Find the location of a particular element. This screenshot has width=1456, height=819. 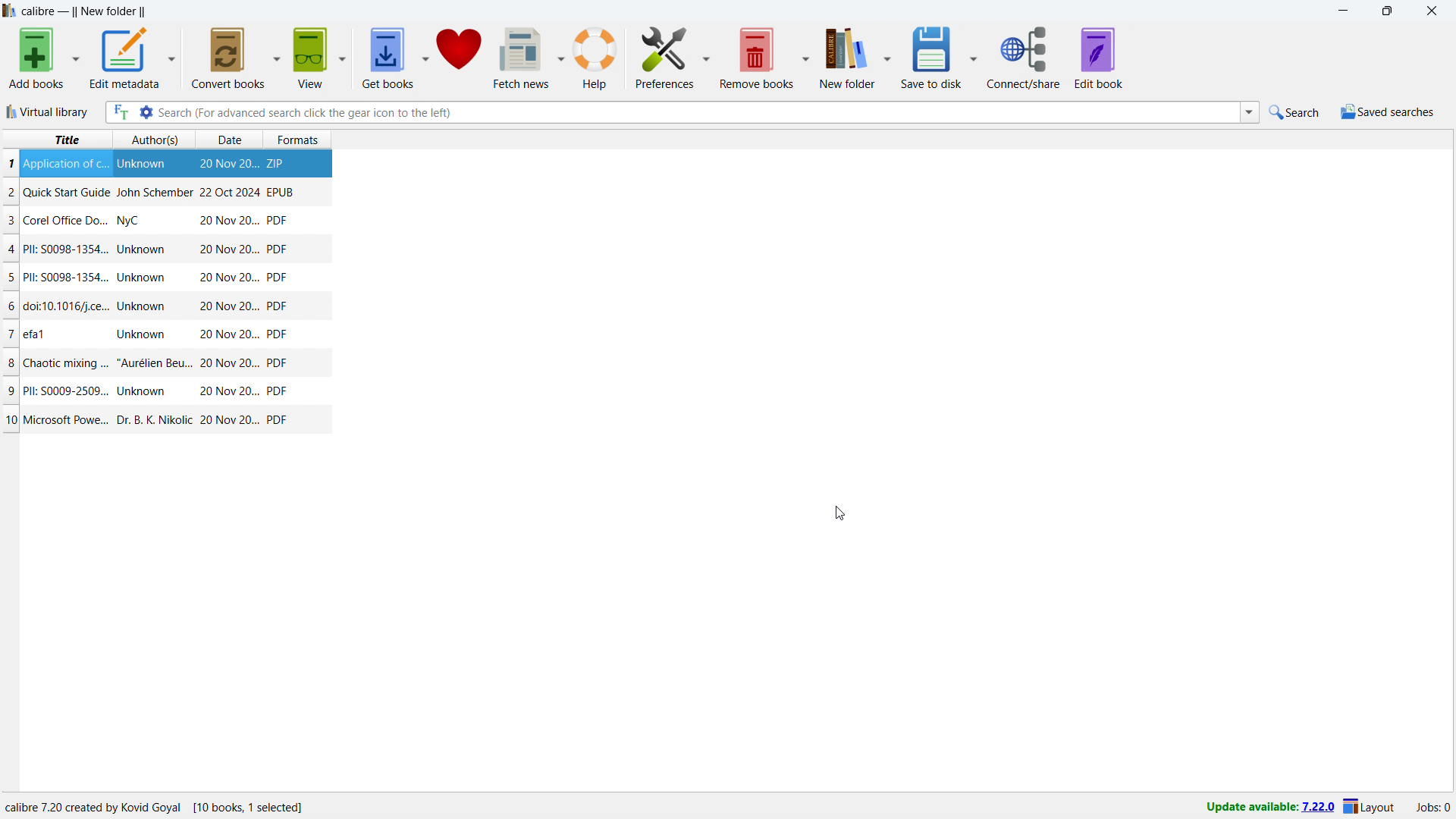

Author is located at coordinates (144, 391).